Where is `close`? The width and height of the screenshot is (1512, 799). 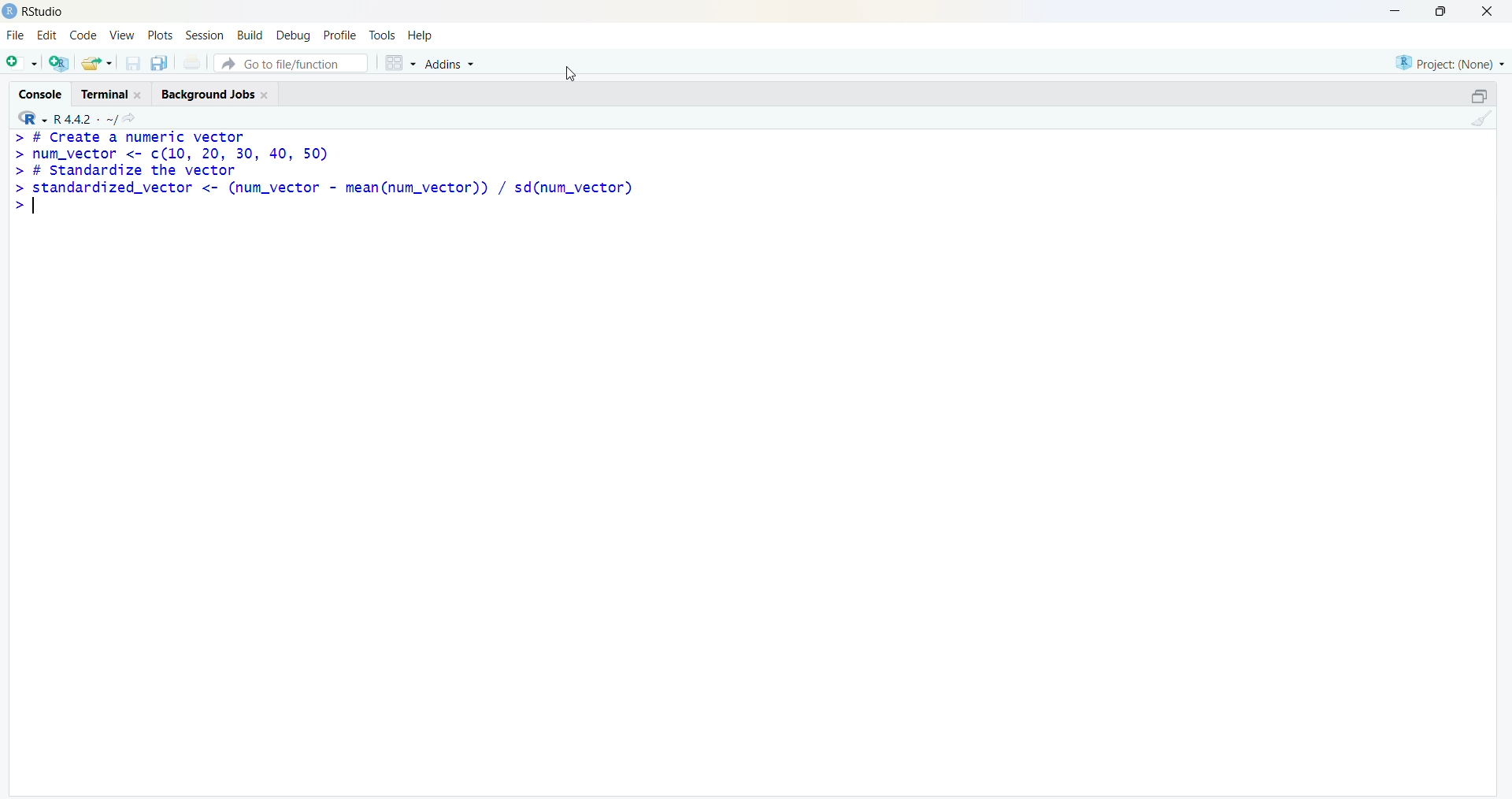
close is located at coordinates (139, 95).